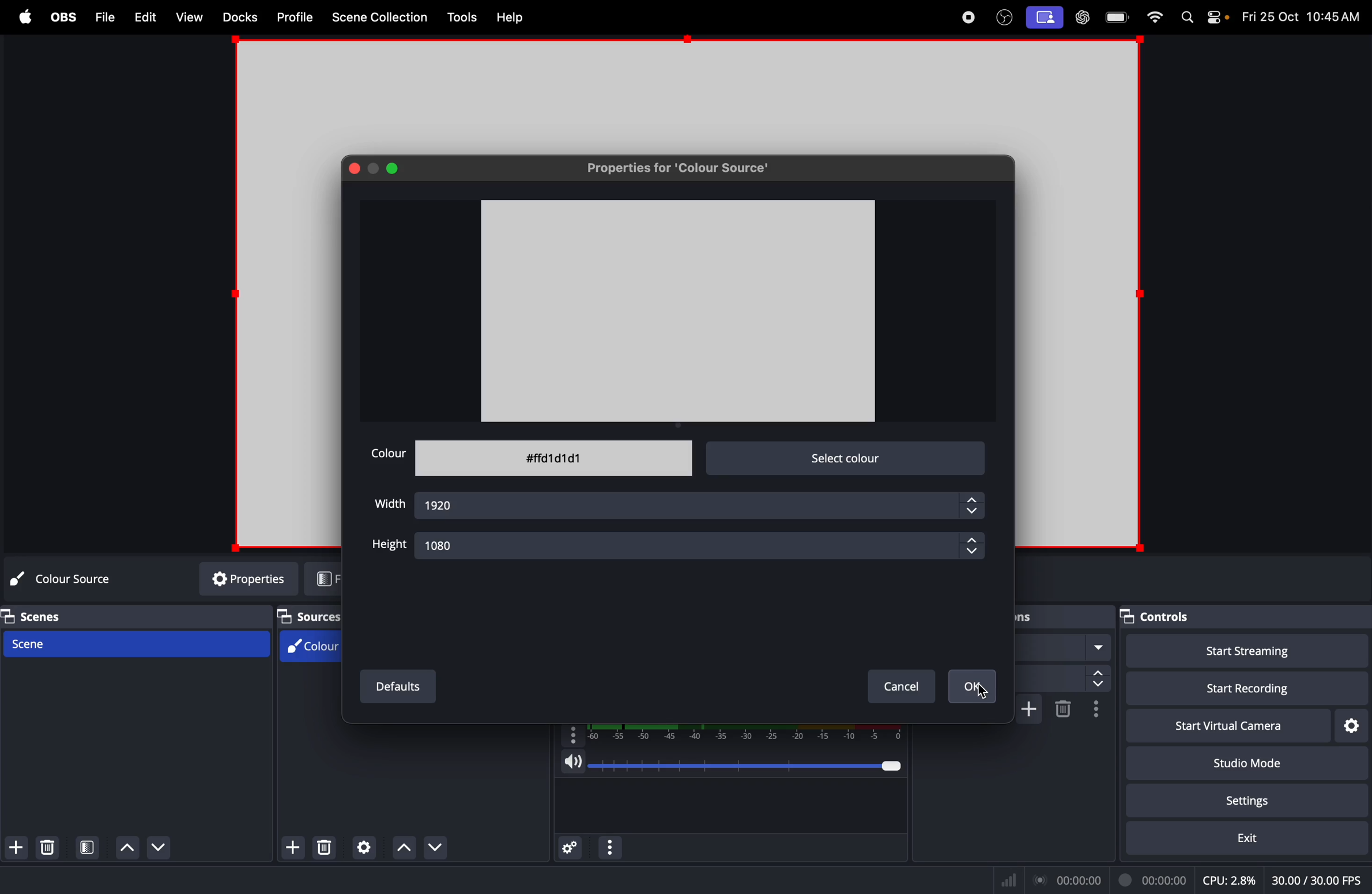 Image resolution: width=1372 pixels, height=894 pixels. I want to click on Sources, so click(311, 616).